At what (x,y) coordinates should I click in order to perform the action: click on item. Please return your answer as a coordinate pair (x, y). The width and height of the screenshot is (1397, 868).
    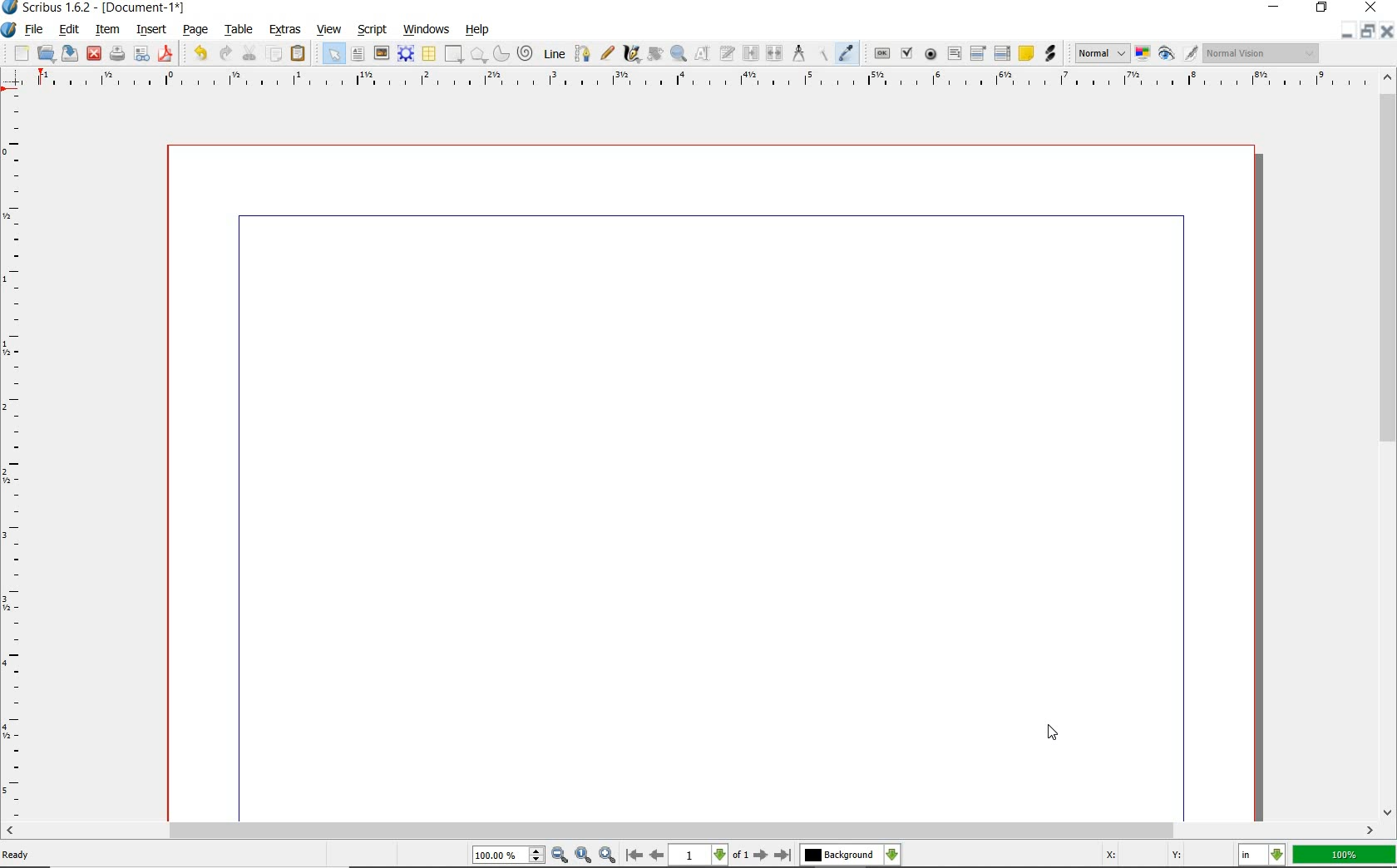
    Looking at the image, I should click on (106, 28).